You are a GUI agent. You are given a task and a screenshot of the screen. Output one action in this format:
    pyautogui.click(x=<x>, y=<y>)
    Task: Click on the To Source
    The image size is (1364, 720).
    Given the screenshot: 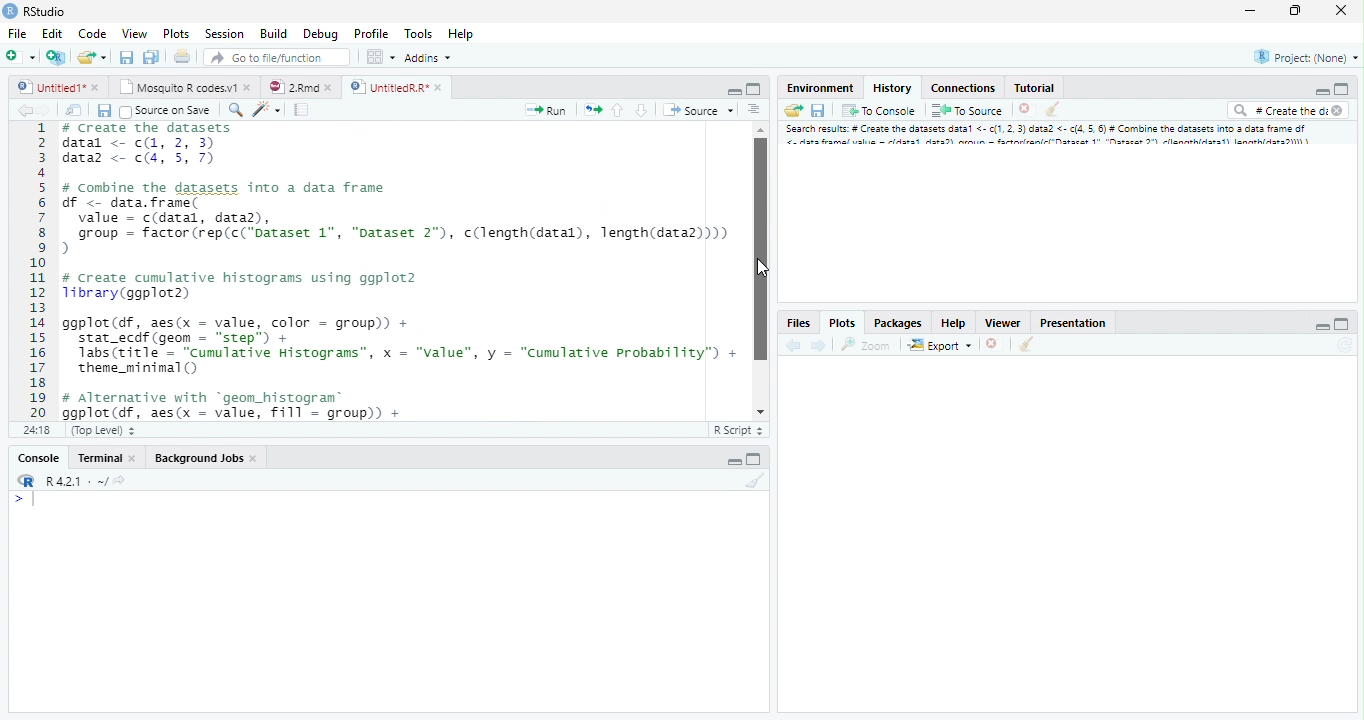 What is the action you would take?
    pyautogui.click(x=968, y=110)
    